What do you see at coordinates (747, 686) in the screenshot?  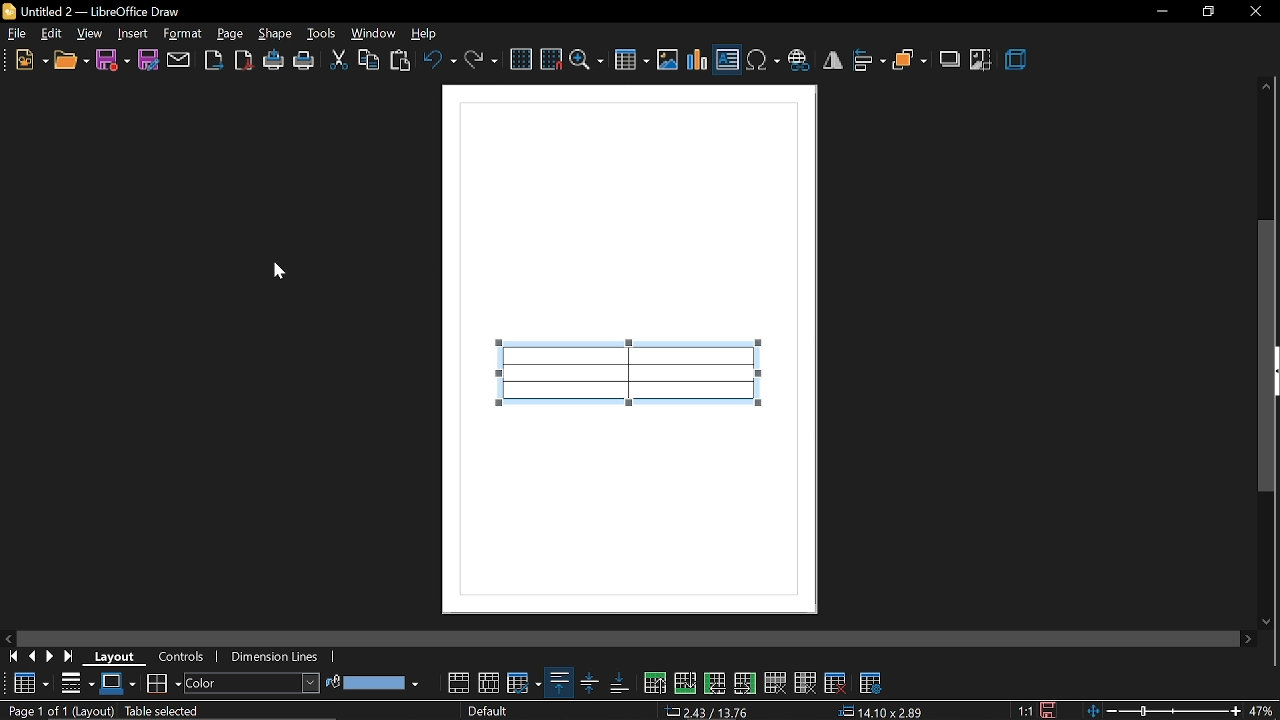 I see `insert column after` at bounding box center [747, 686].